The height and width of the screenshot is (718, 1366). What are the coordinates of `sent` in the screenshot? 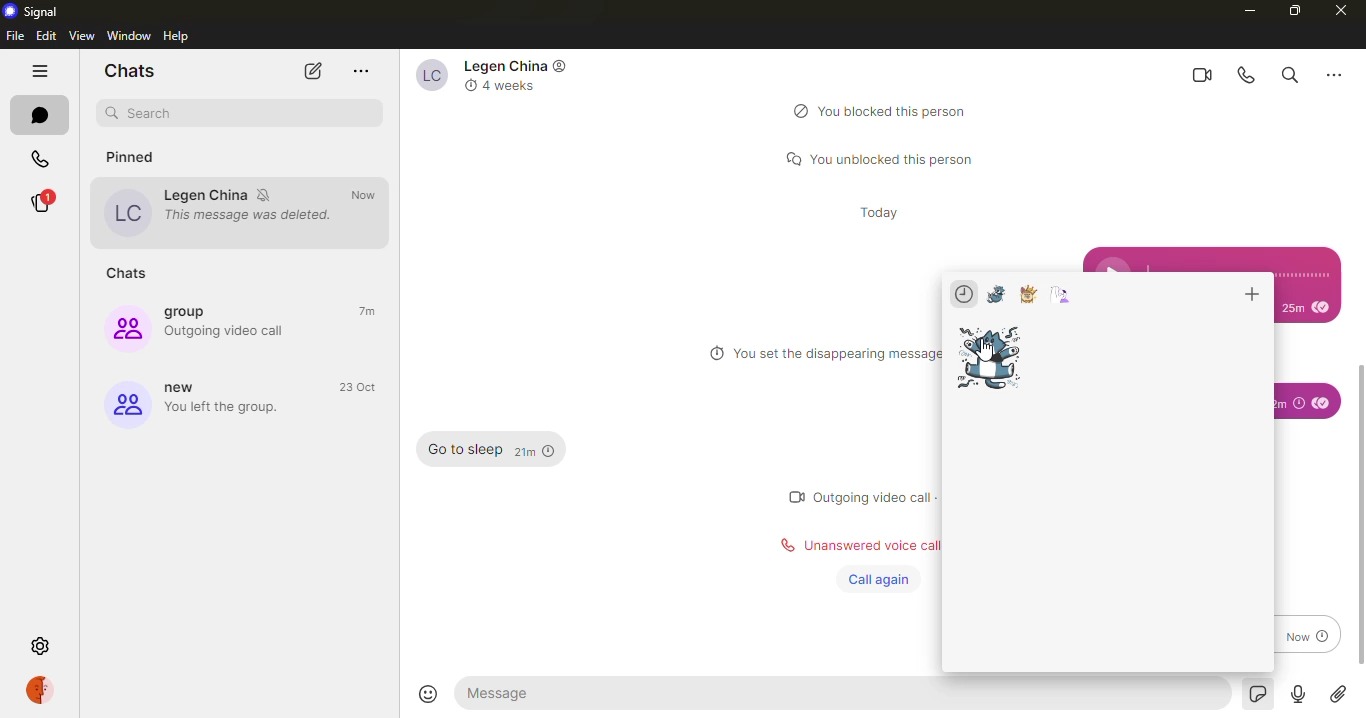 It's located at (1322, 402).